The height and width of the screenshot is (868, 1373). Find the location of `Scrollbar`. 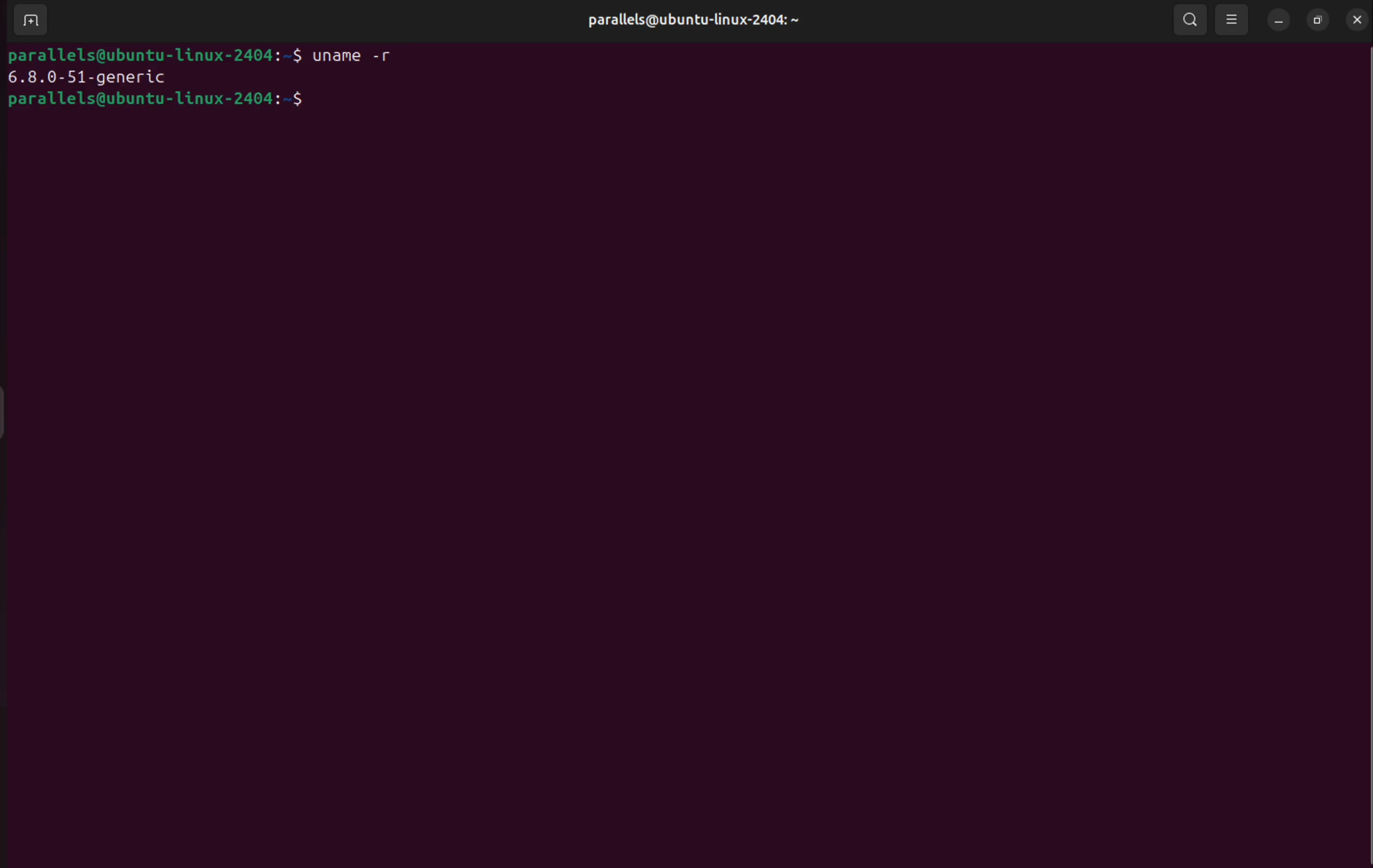

Scrollbar is located at coordinates (1362, 461).